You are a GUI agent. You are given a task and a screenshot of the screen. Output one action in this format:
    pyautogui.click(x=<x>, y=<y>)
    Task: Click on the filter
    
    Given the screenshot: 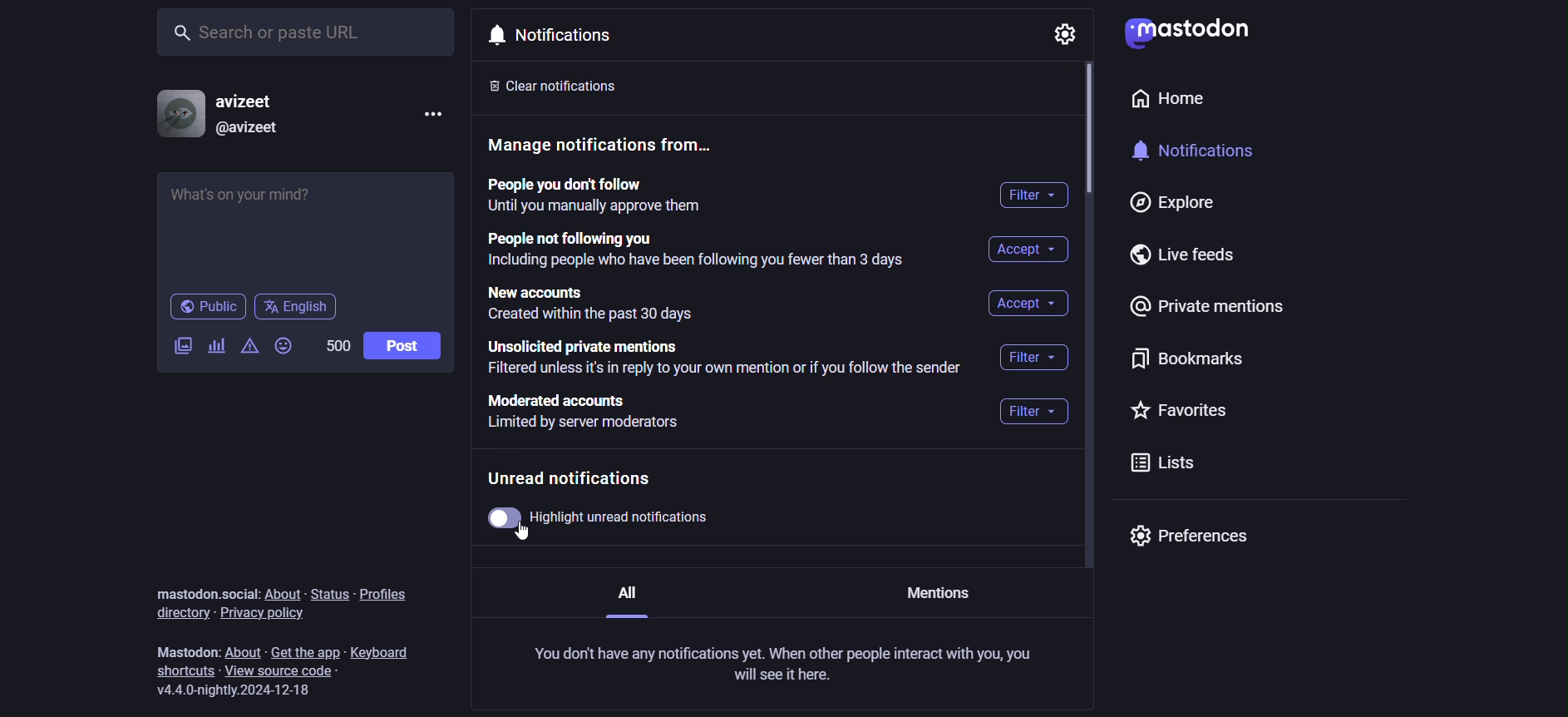 What is the action you would take?
    pyautogui.click(x=1033, y=357)
    